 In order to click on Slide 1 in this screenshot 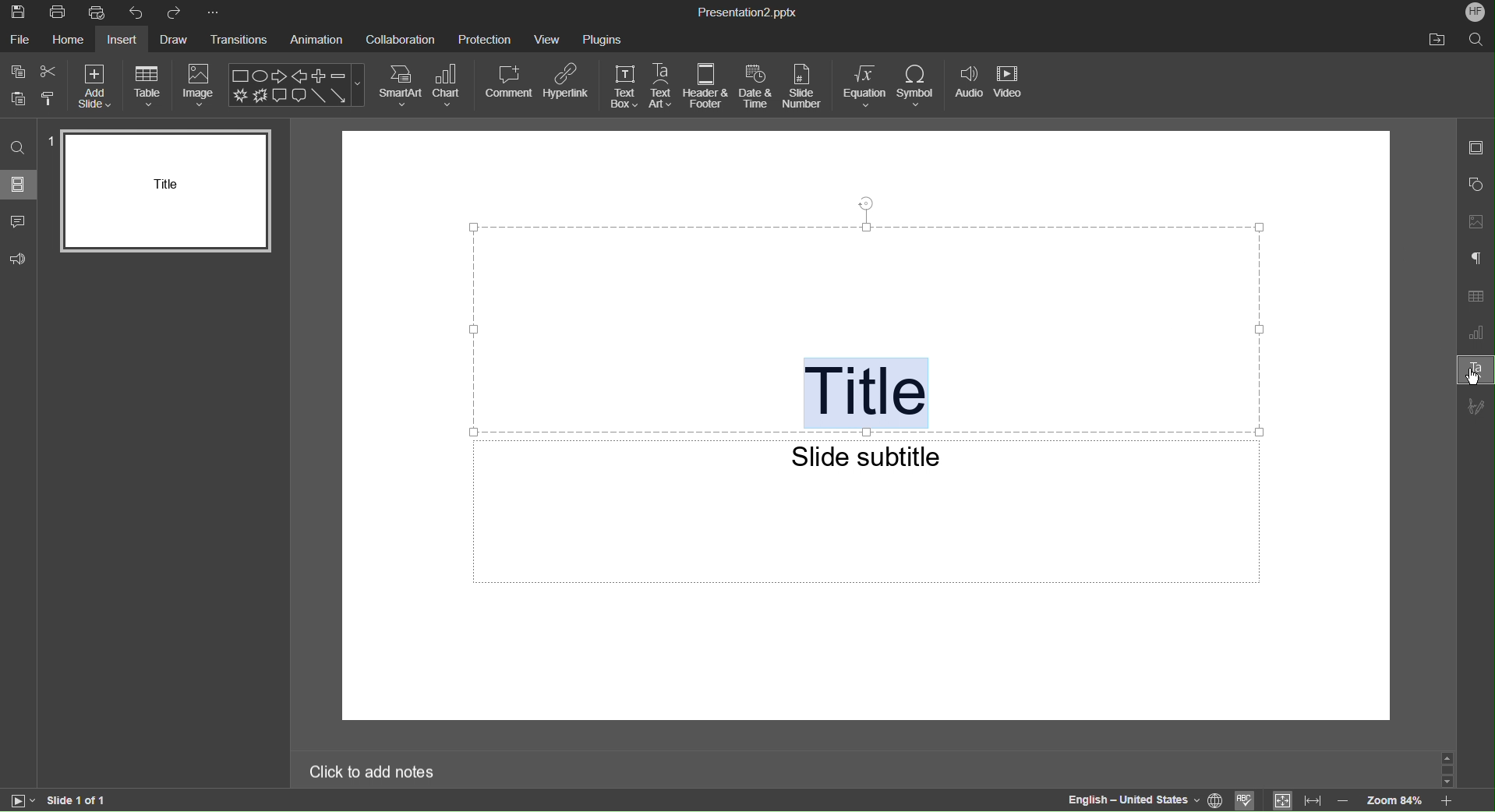, I will do `click(162, 192)`.